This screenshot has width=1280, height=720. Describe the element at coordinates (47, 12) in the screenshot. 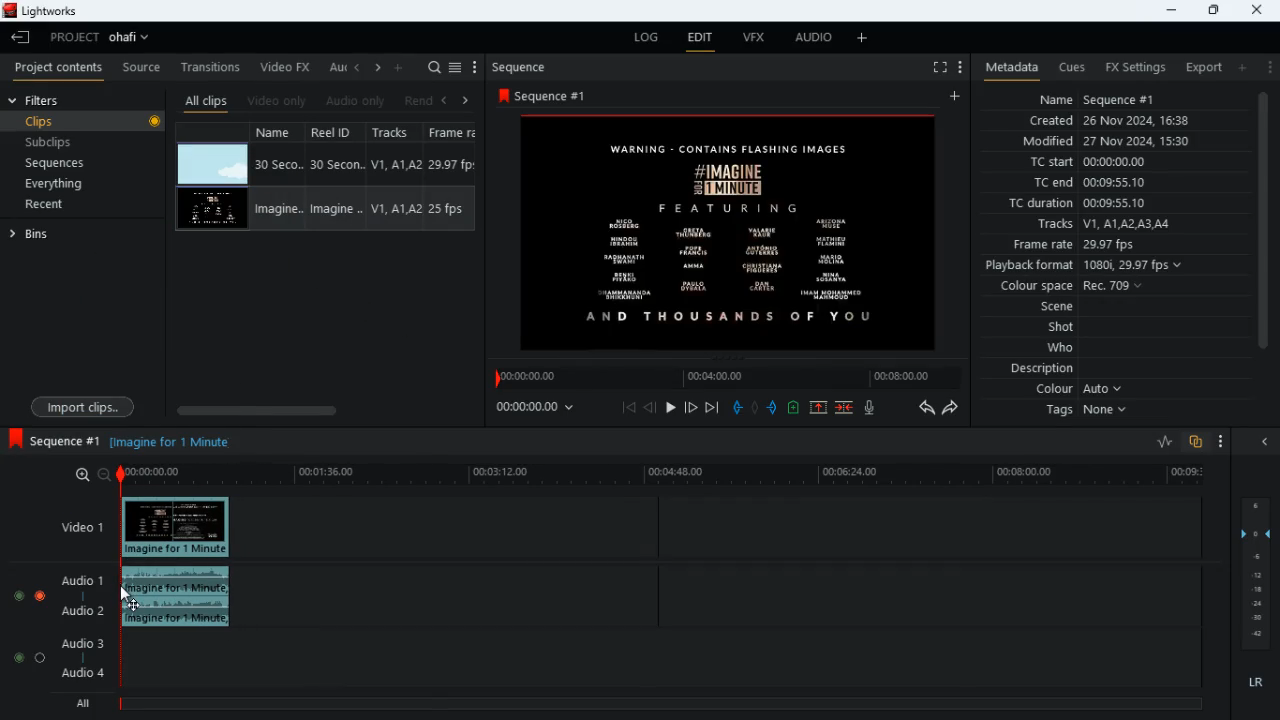

I see `lightworks` at that location.